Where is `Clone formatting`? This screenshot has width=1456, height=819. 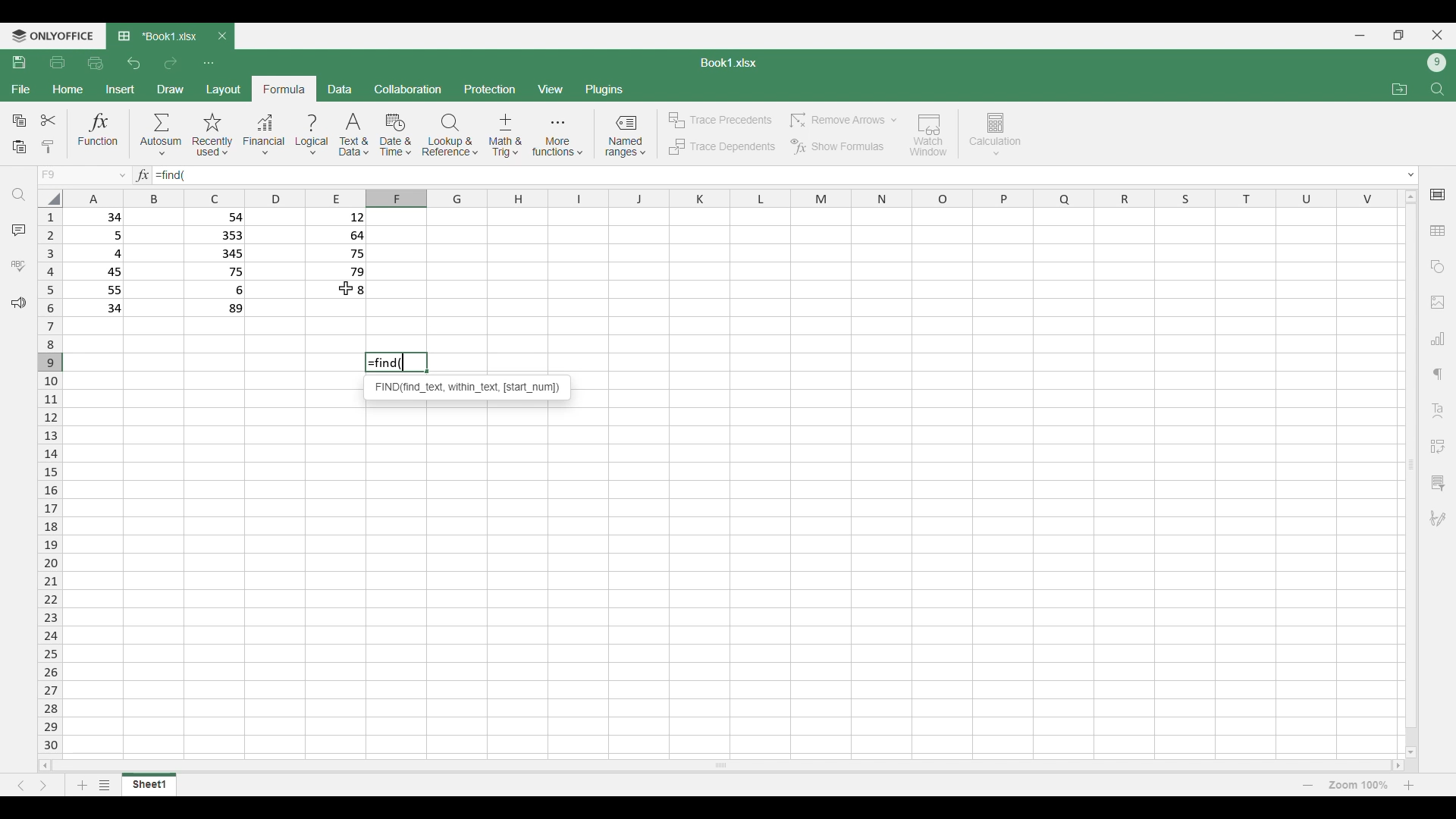 Clone formatting is located at coordinates (47, 148).